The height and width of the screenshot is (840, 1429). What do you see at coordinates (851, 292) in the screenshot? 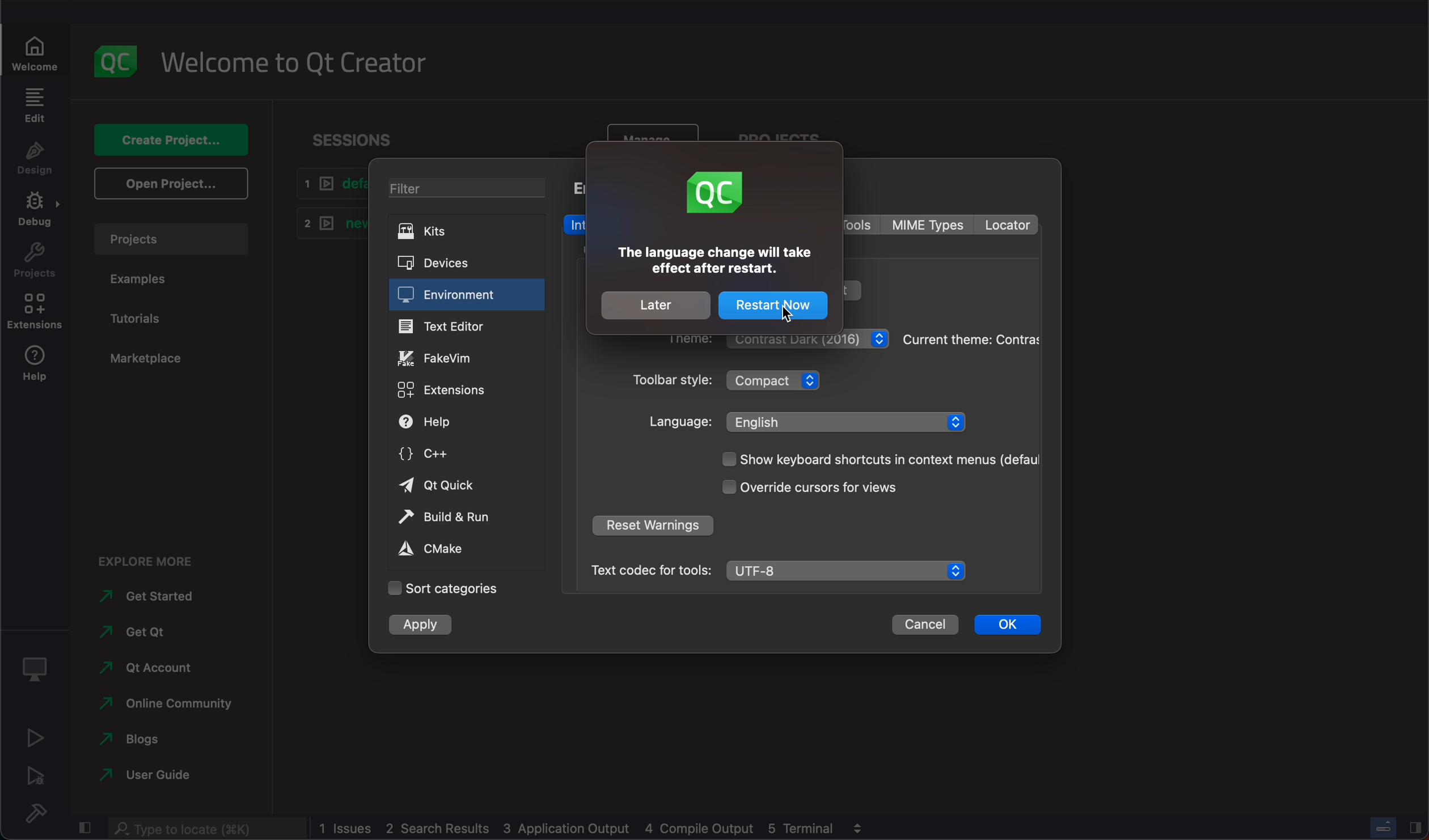
I see `t` at bounding box center [851, 292].